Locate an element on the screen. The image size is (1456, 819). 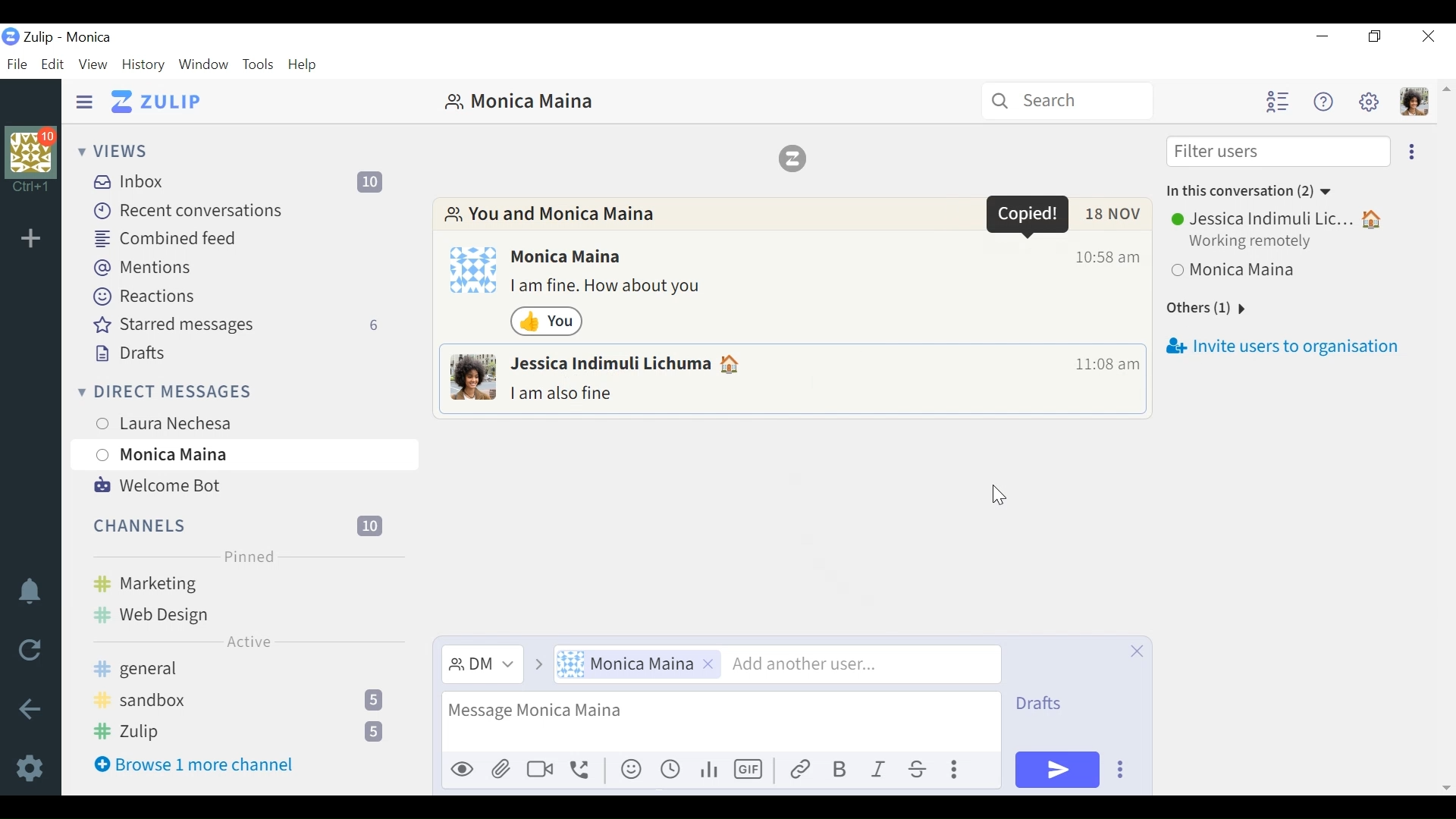
Mentions is located at coordinates (142, 267).